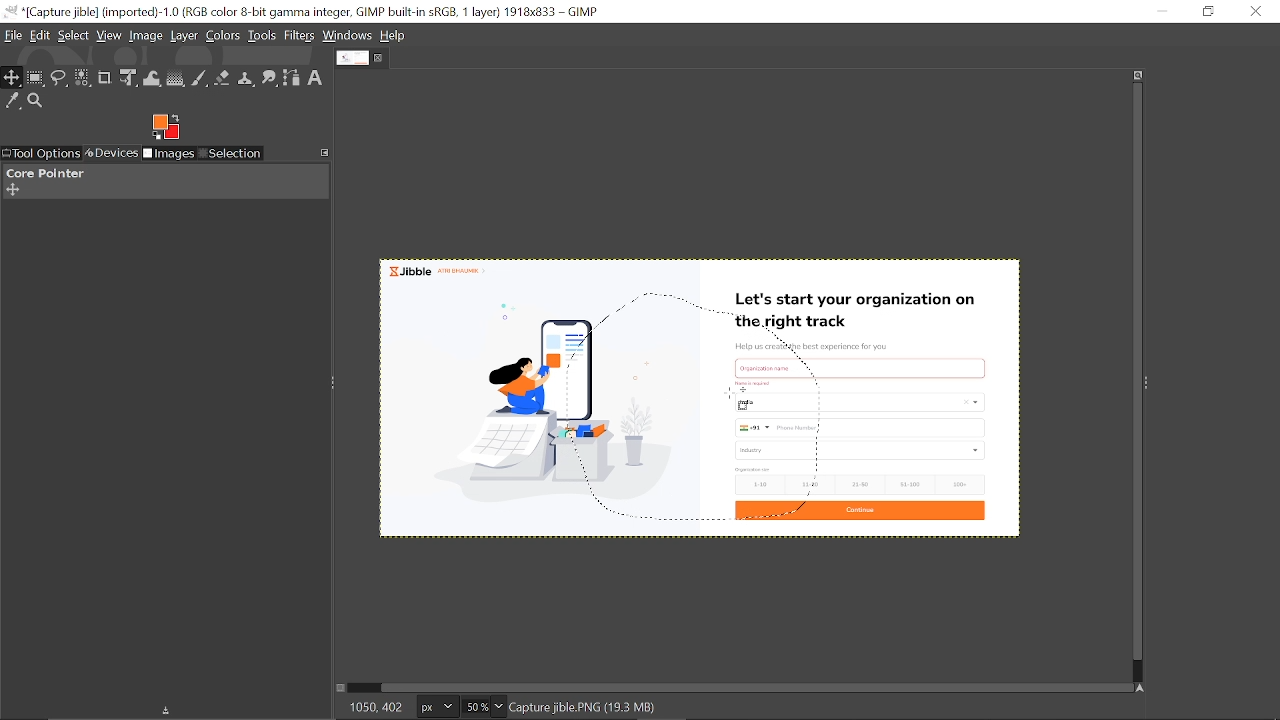  What do you see at coordinates (754, 484) in the screenshot?
I see `1-10` at bounding box center [754, 484].